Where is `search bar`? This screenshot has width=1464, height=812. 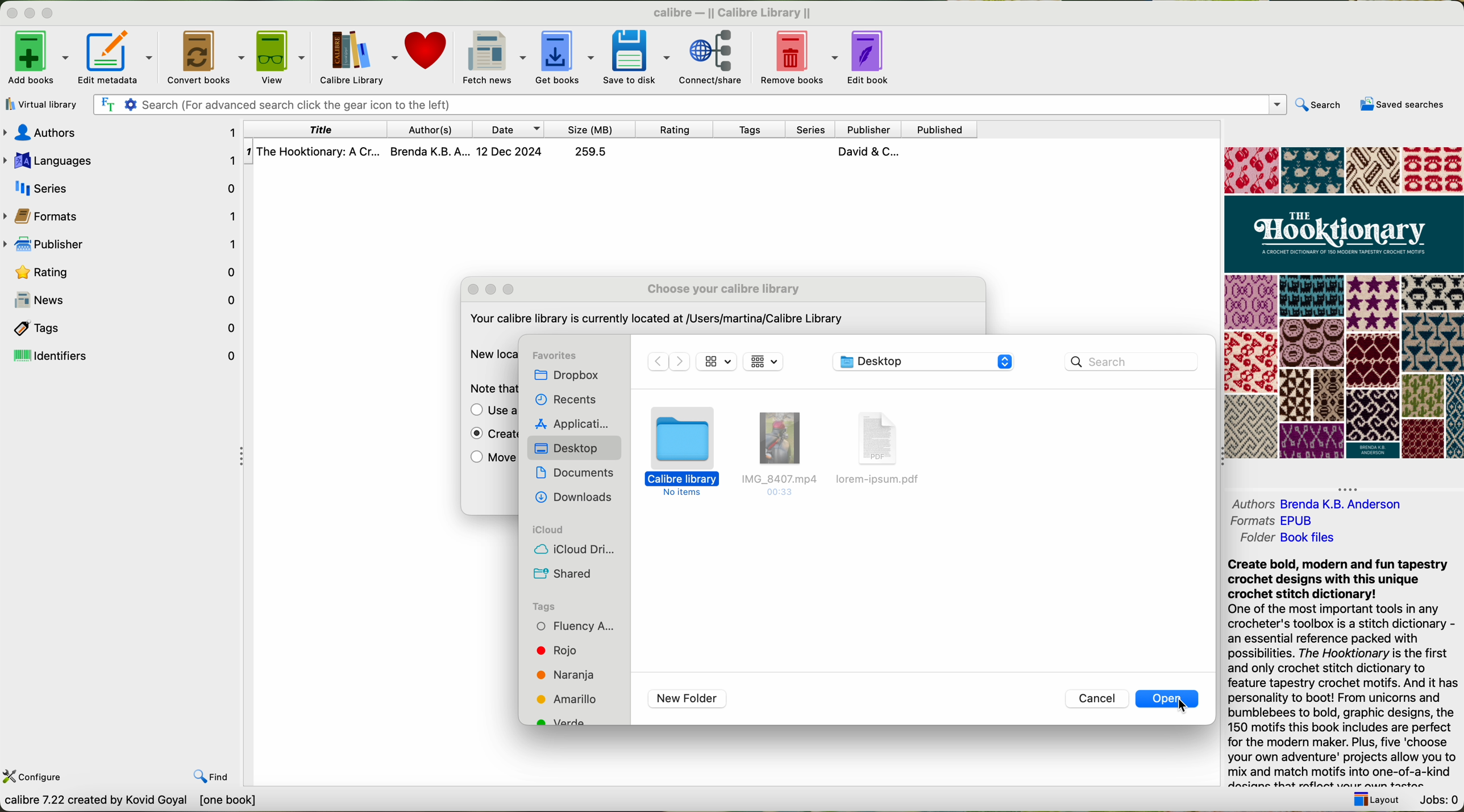
search bar is located at coordinates (717, 103).